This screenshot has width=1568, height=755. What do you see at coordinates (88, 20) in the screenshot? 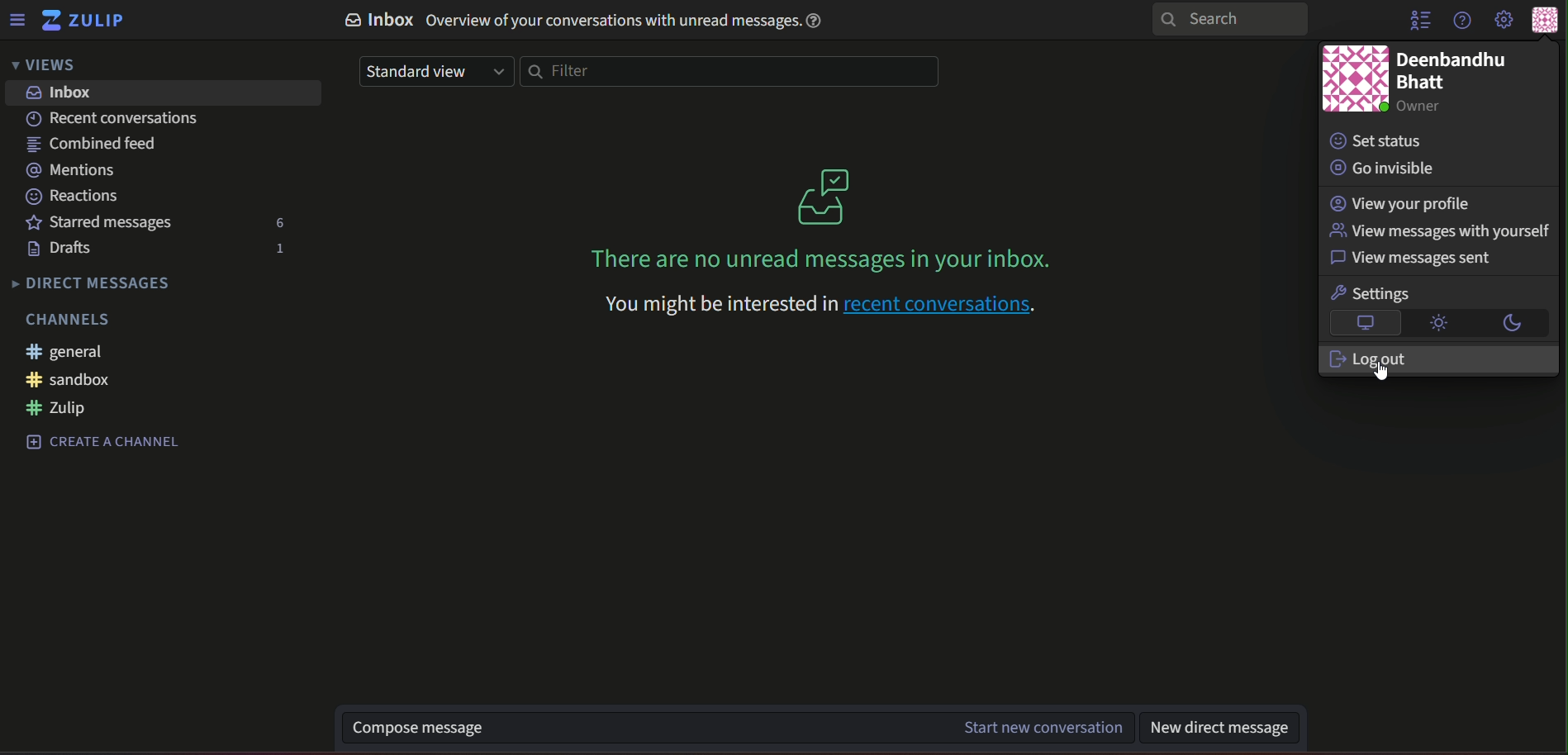
I see `title and logo` at bounding box center [88, 20].